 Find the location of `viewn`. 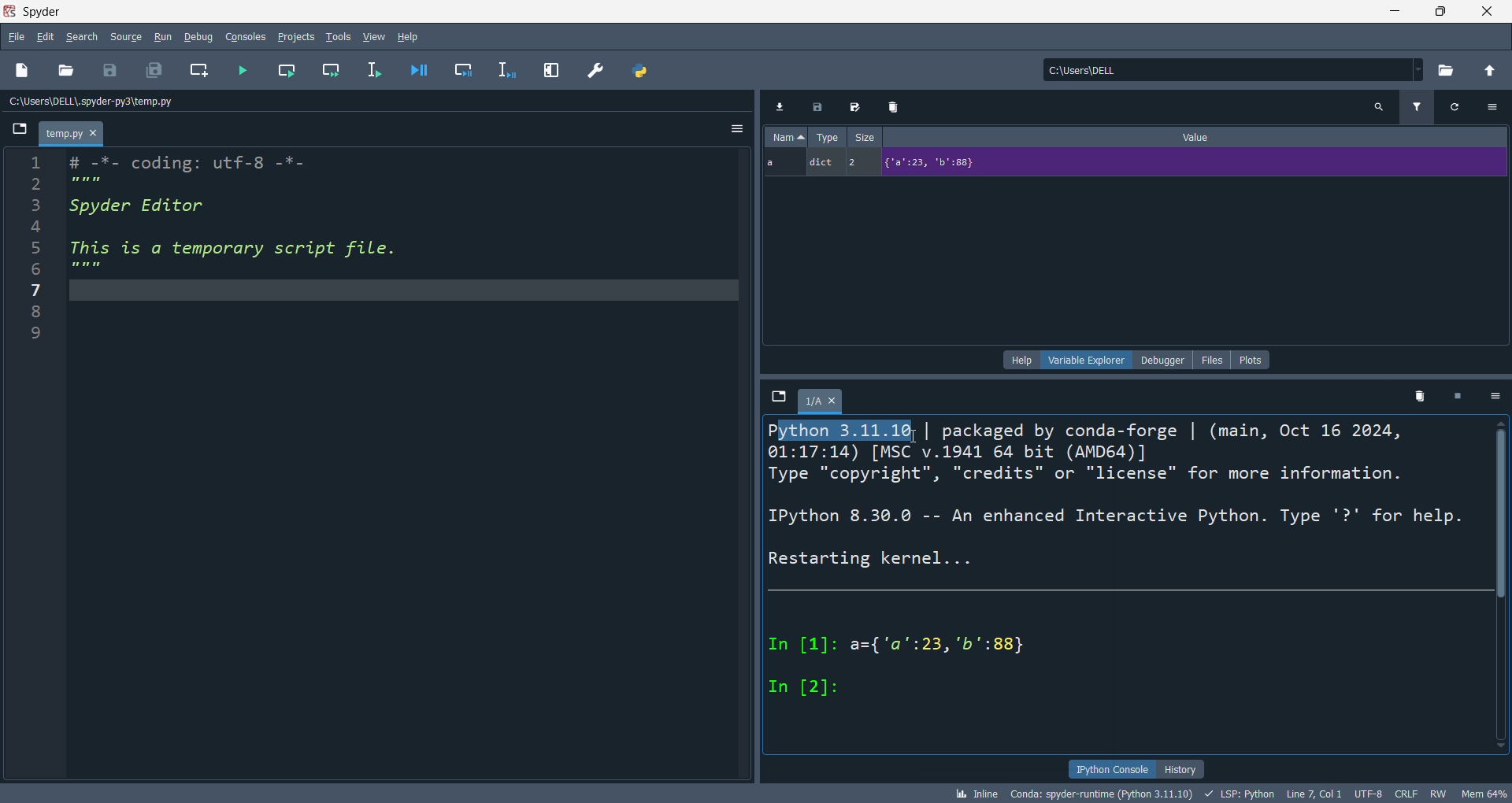

viewn is located at coordinates (375, 35).